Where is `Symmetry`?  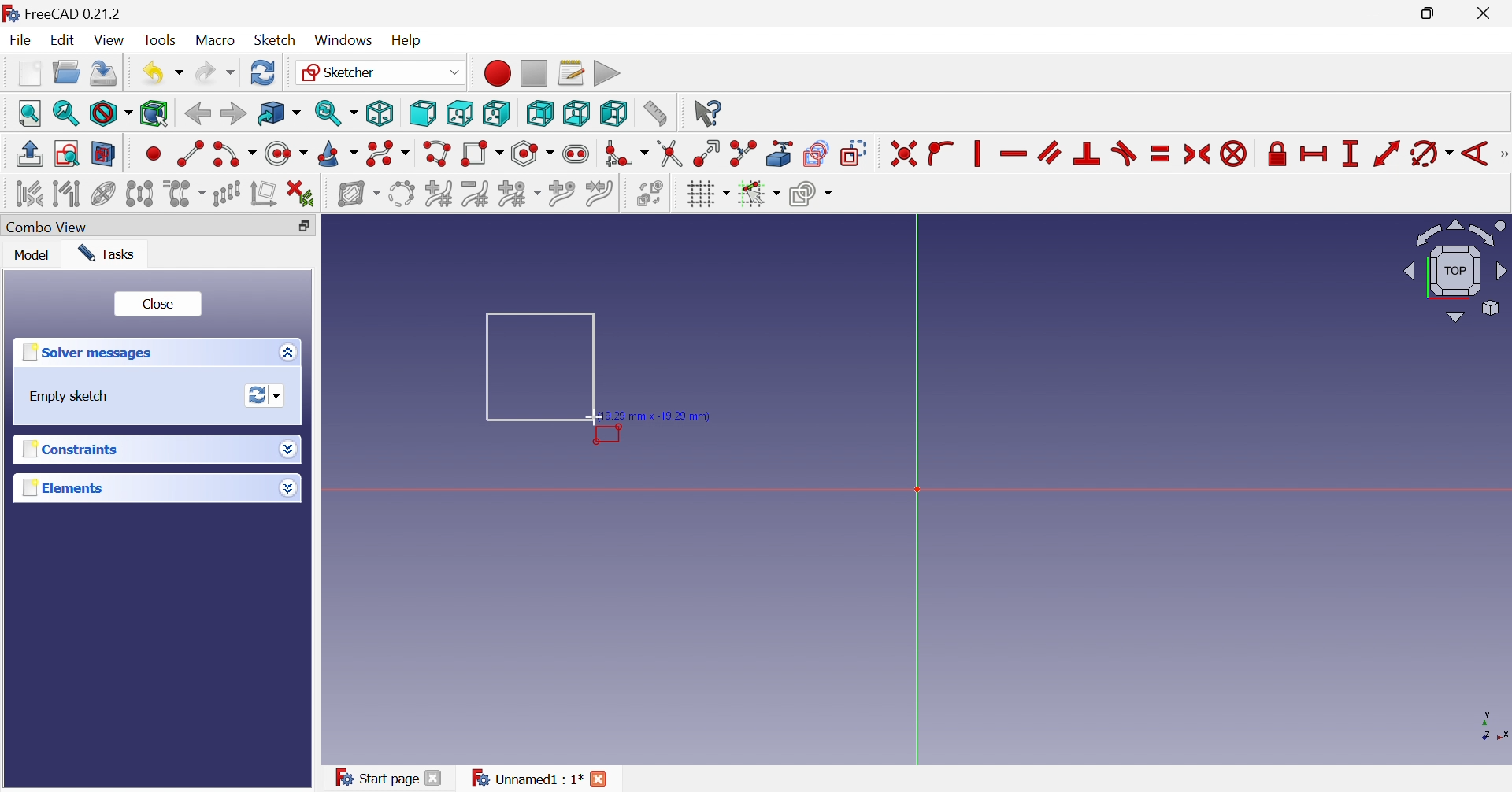 Symmetry is located at coordinates (139, 194).